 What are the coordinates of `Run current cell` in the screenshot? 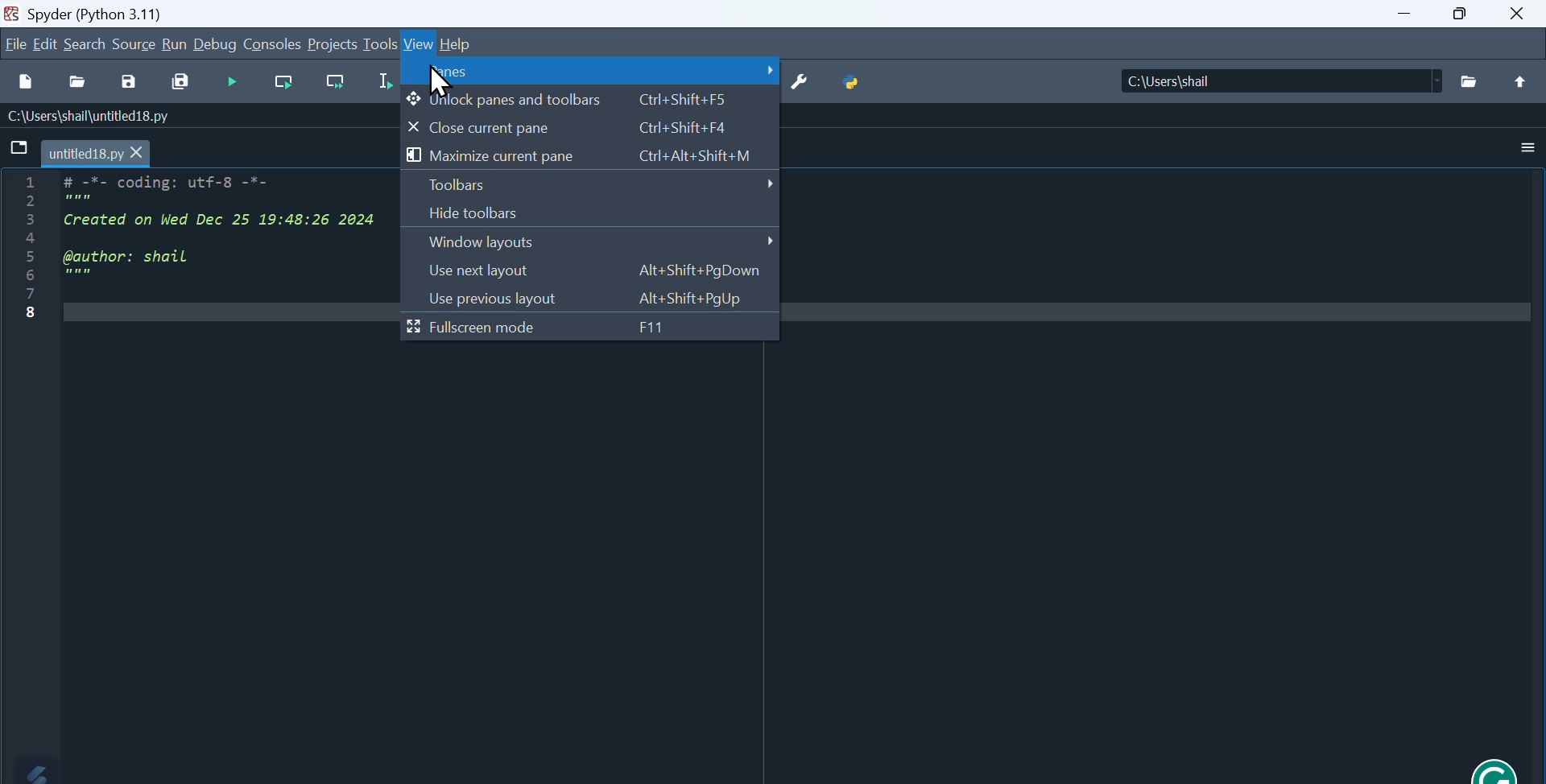 It's located at (288, 80).